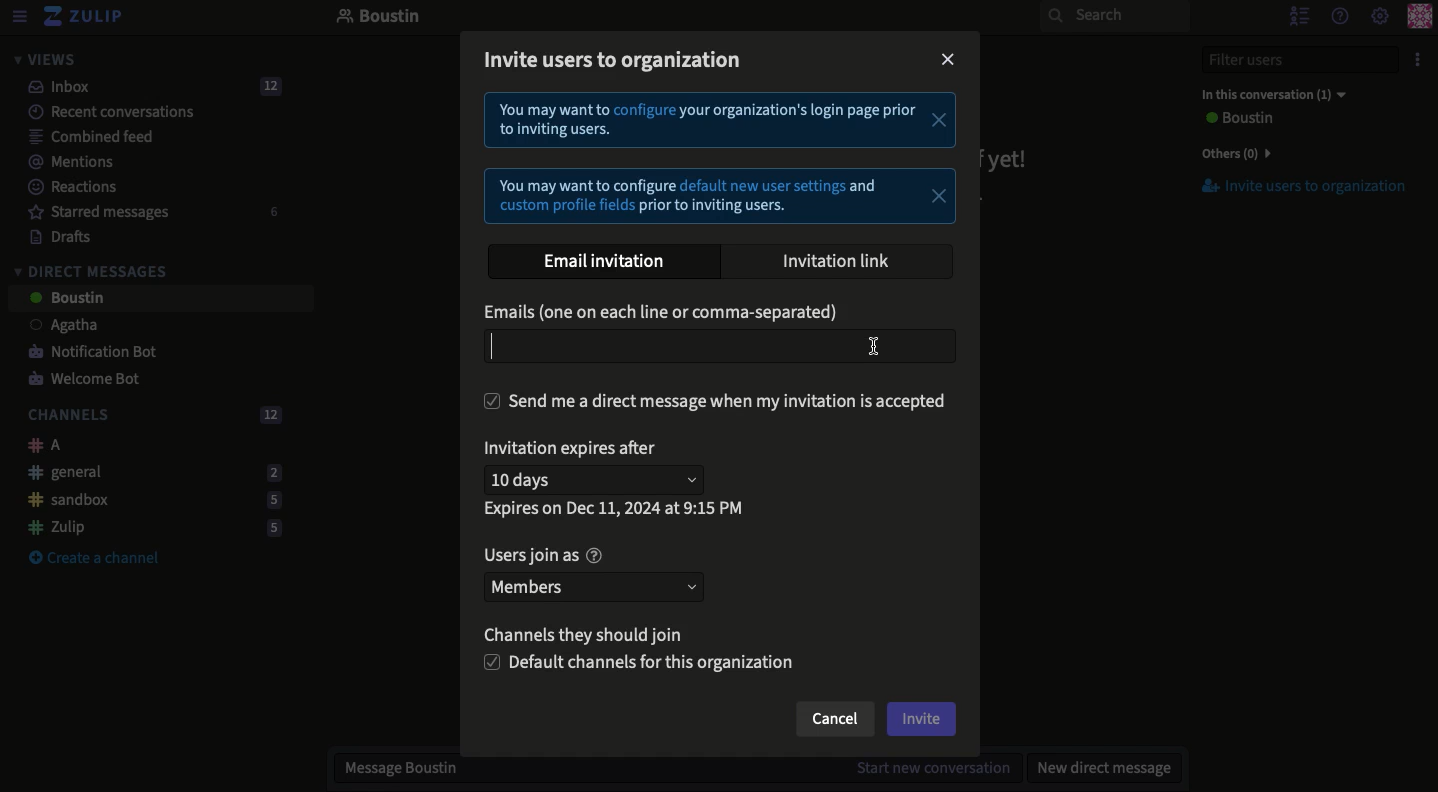 This screenshot has width=1438, height=792. What do you see at coordinates (1099, 767) in the screenshot?
I see `New DM` at bounding box center [1099, 767].